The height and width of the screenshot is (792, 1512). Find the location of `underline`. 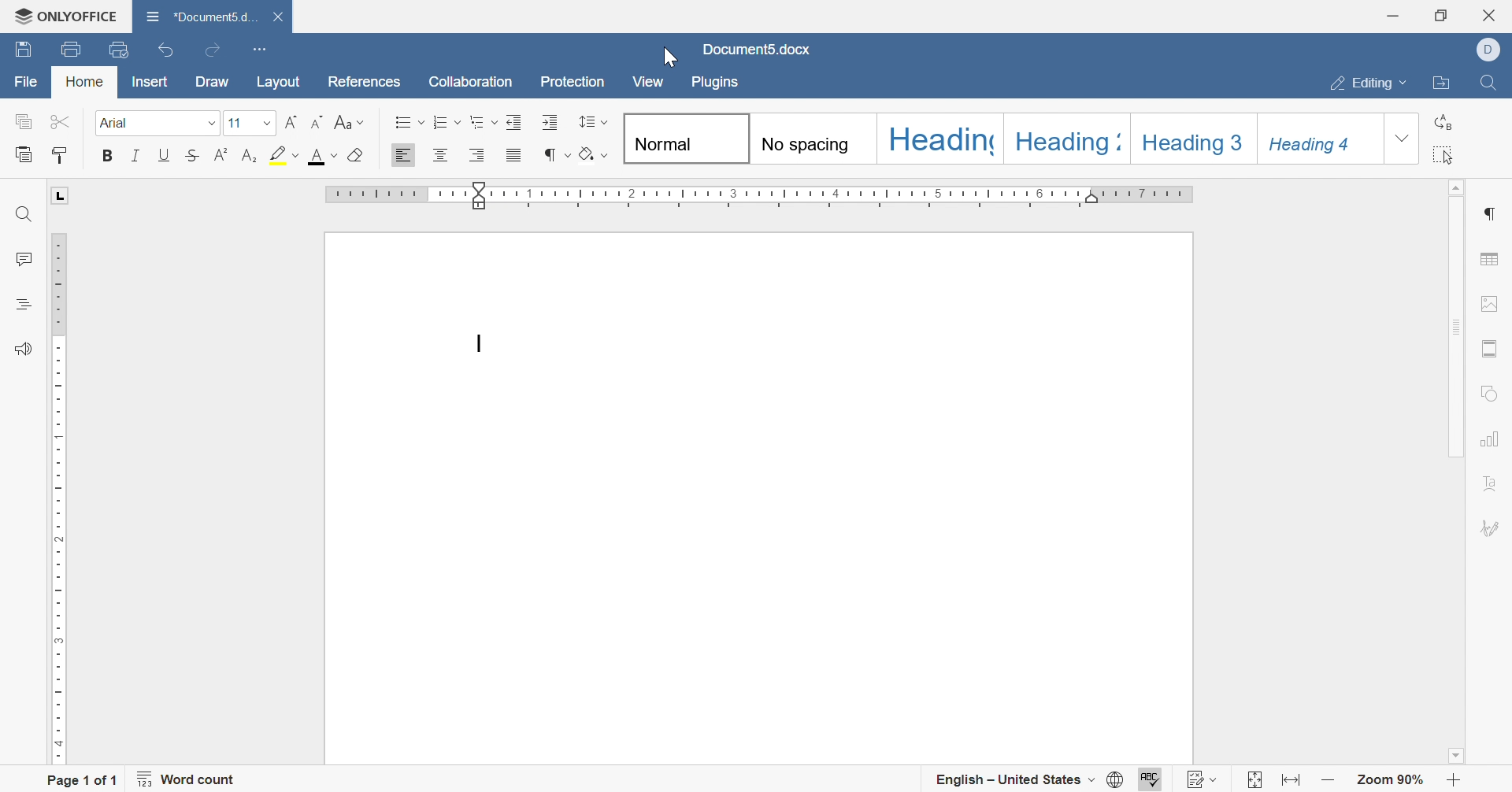

underline is located at coordinates (165, 154).